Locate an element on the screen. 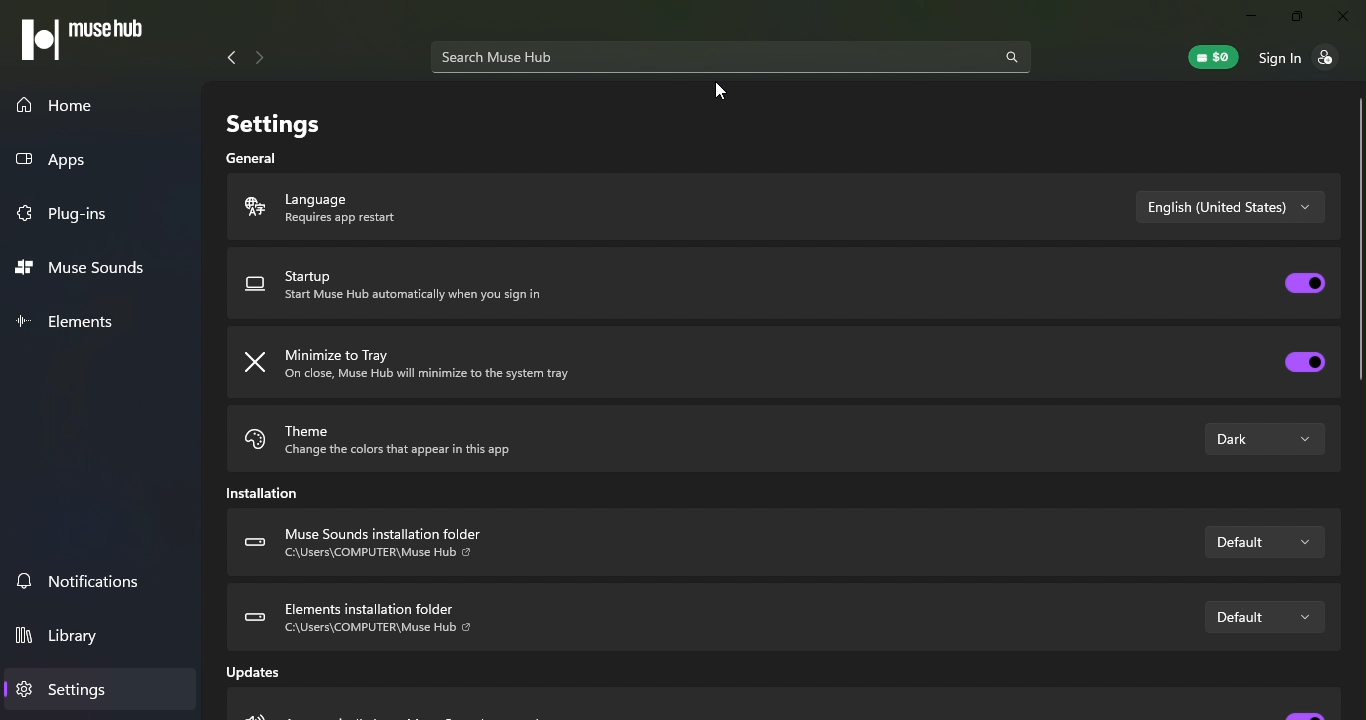 The image size is (1366, 720). Apps is located at coordinates (84, 161).